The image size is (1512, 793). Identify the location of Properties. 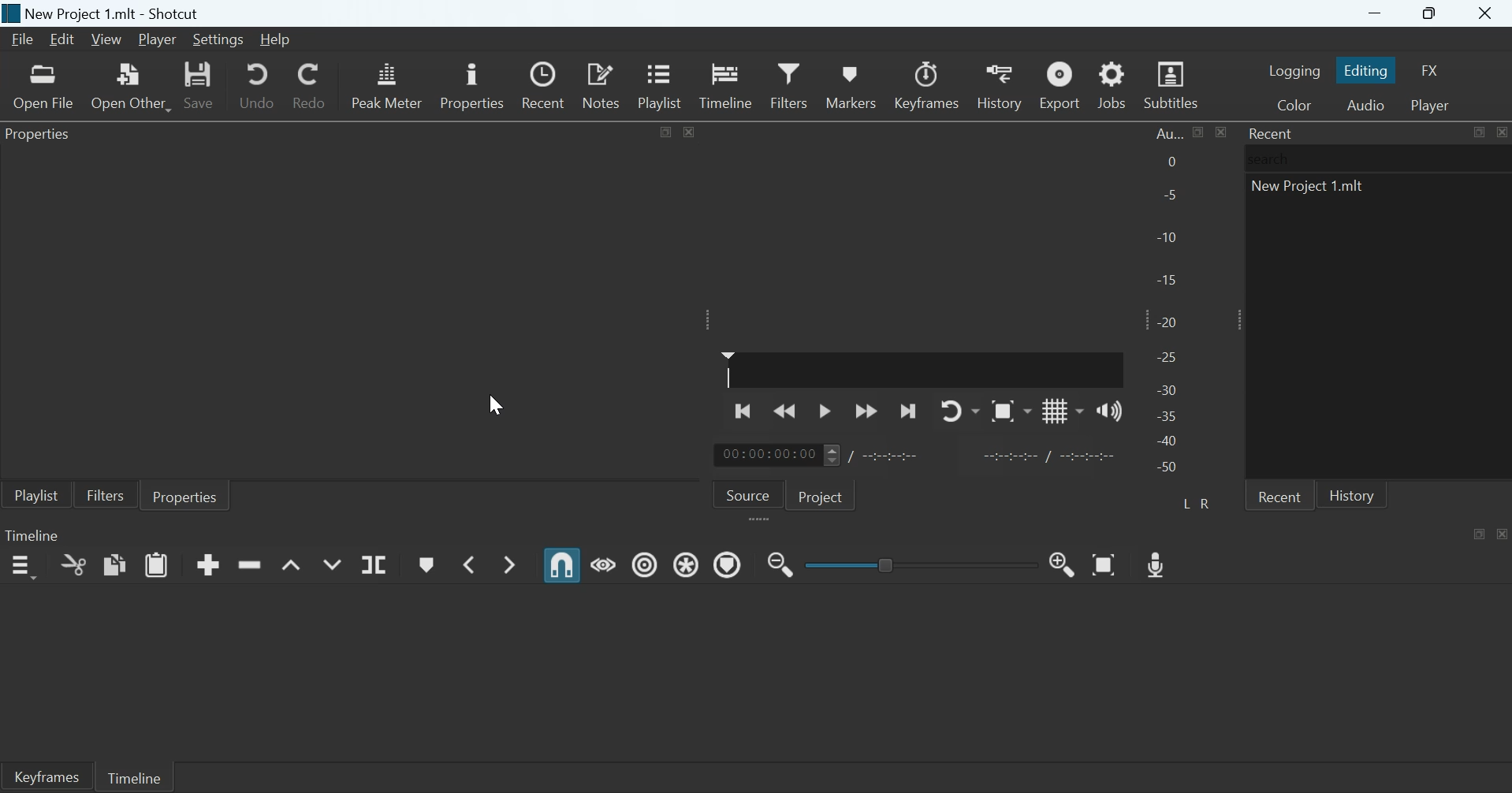
(43, 136).